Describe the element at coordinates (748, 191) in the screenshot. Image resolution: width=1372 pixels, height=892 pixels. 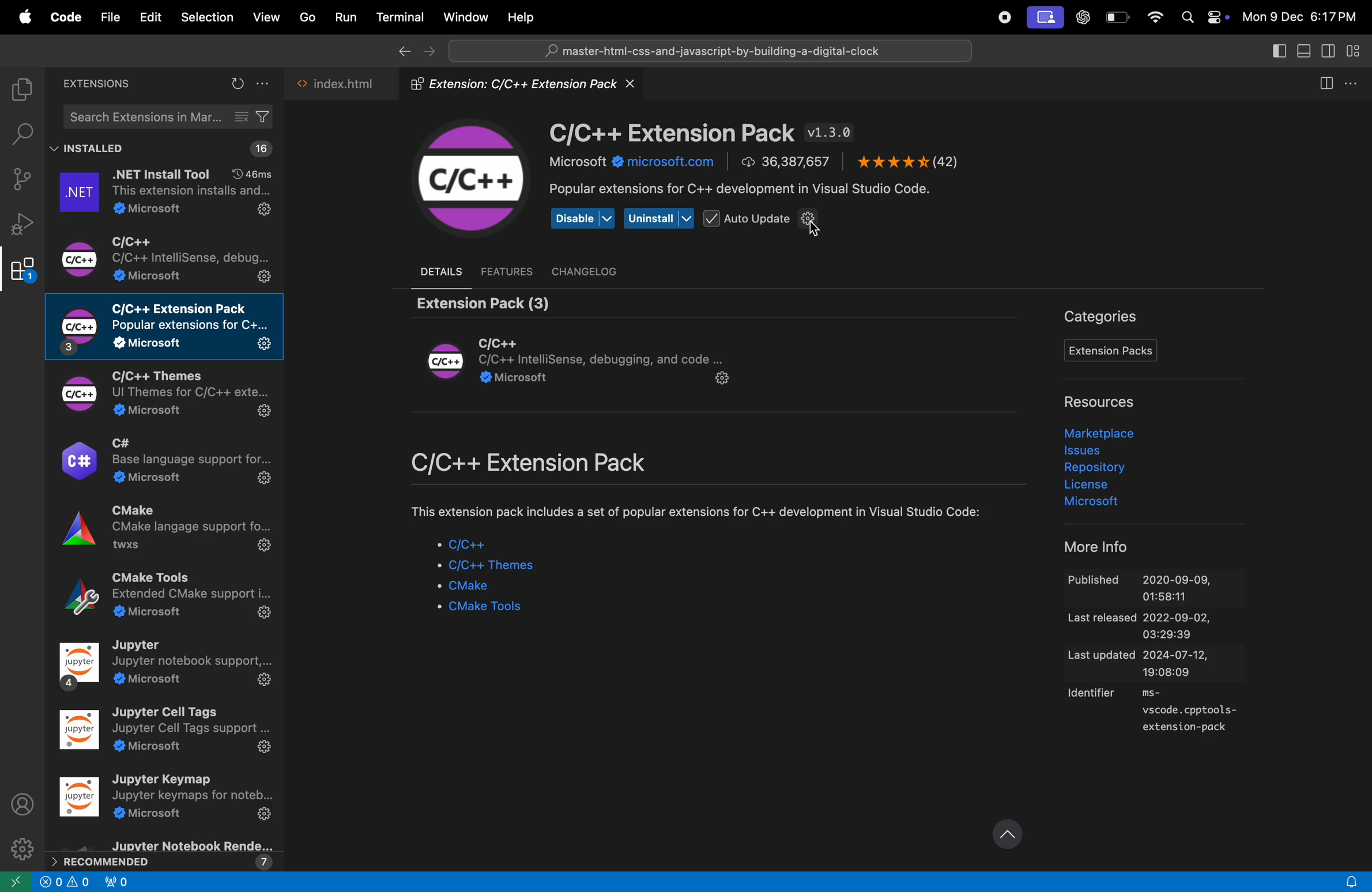
I see `popular extension` at that location.